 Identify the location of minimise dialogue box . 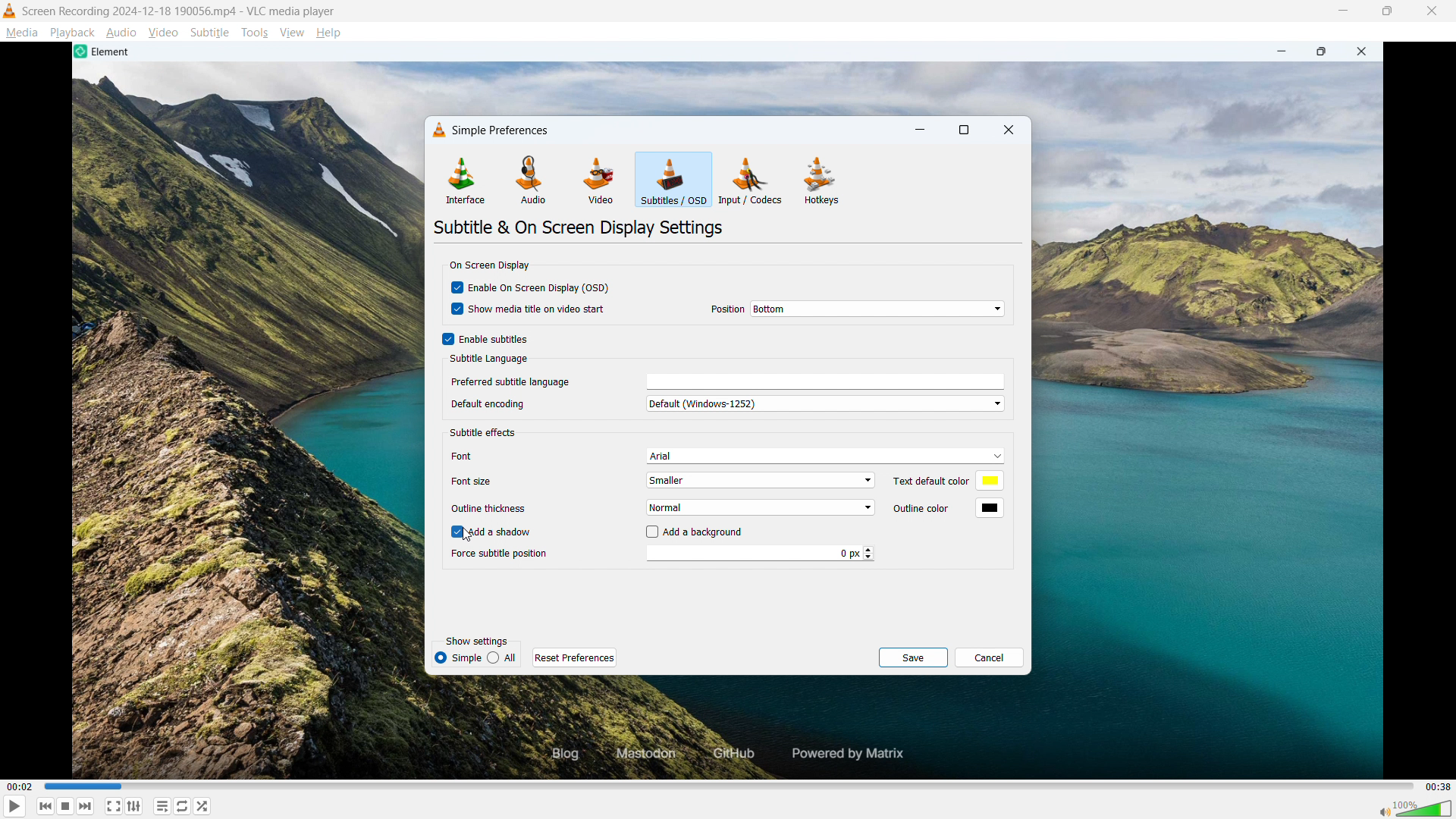
(921, 130).